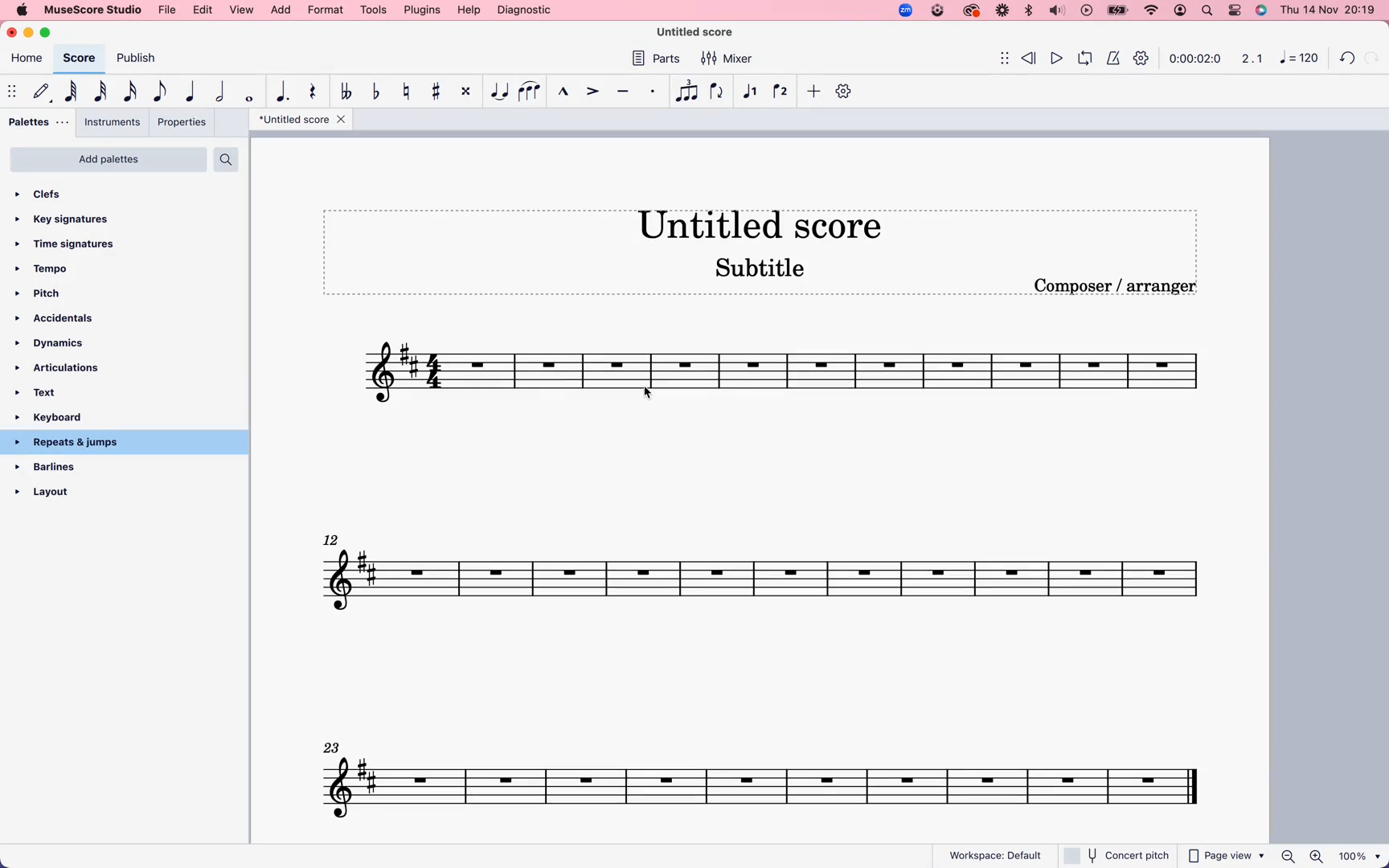 The height and width of the screenshot is (868, 1389). What do you see at coordinates (1027, 11) in the screenshot?
I see `bluetooth` at bounding box center [1027, 11].